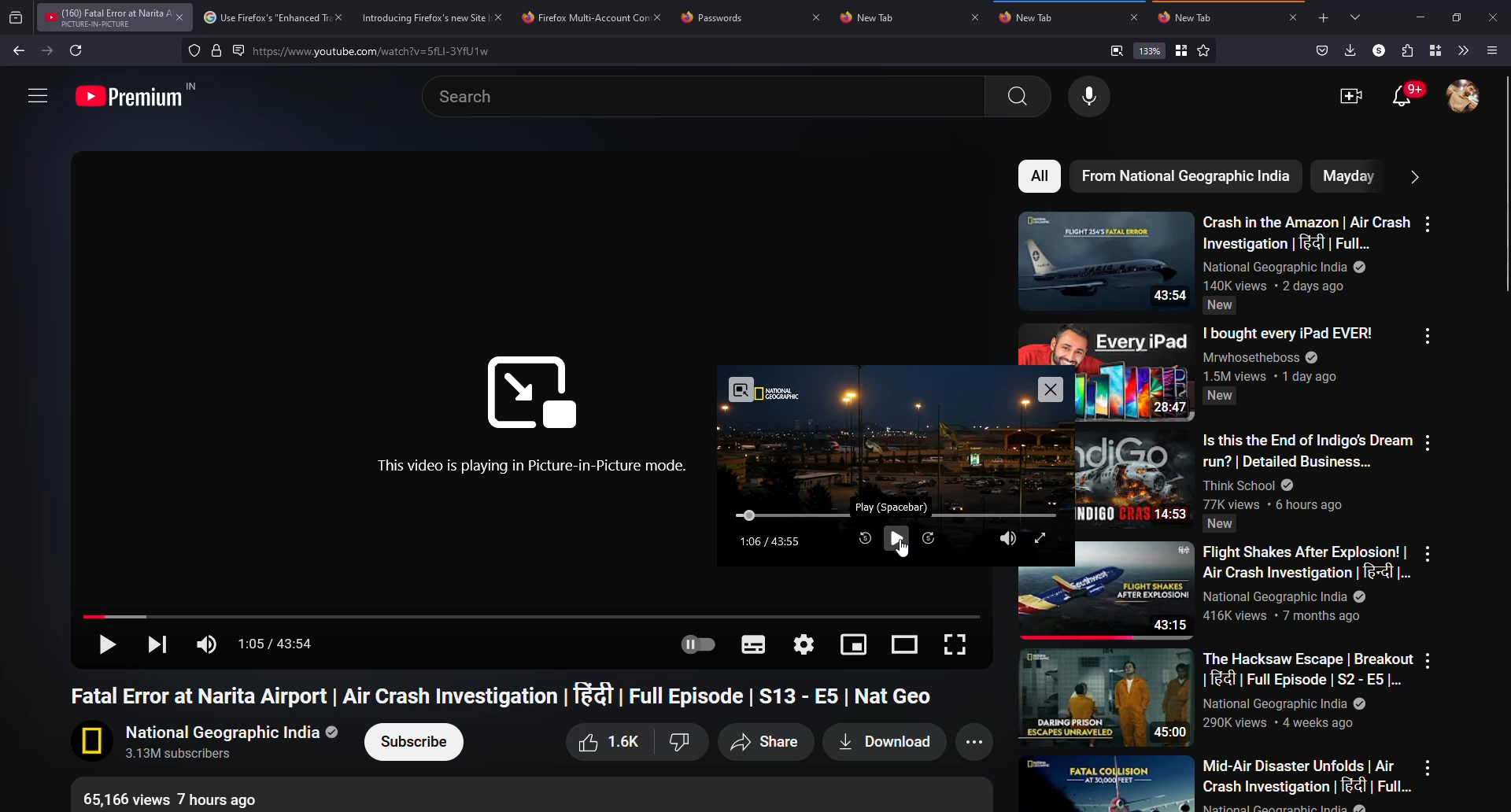 The height and width of the screenshot is (812, 1511). What do you see at coordinates (1427, 553) in the screenshot?
I see `more` at bounding box center [1427, 553].